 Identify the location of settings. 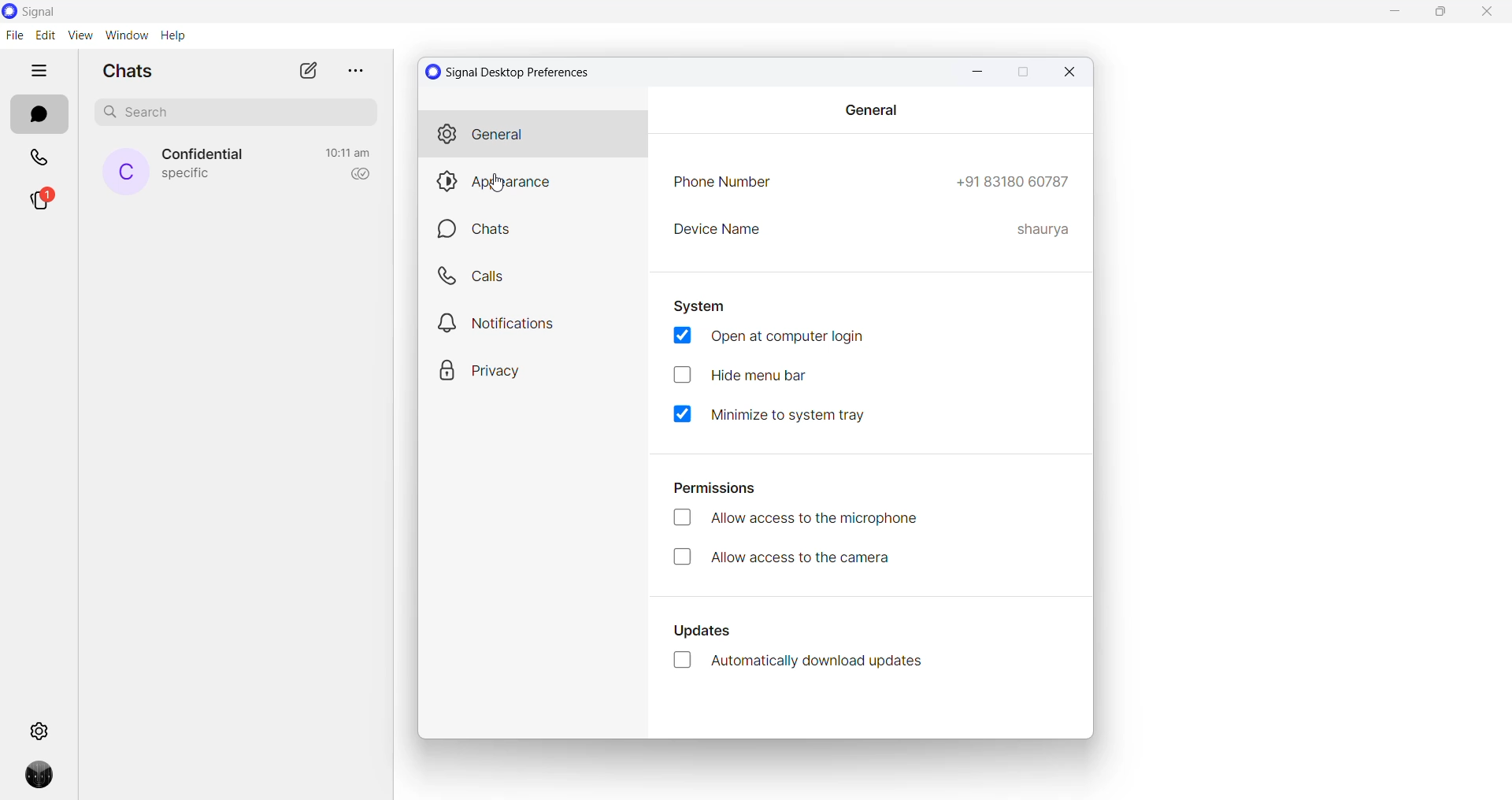
(42, 729).